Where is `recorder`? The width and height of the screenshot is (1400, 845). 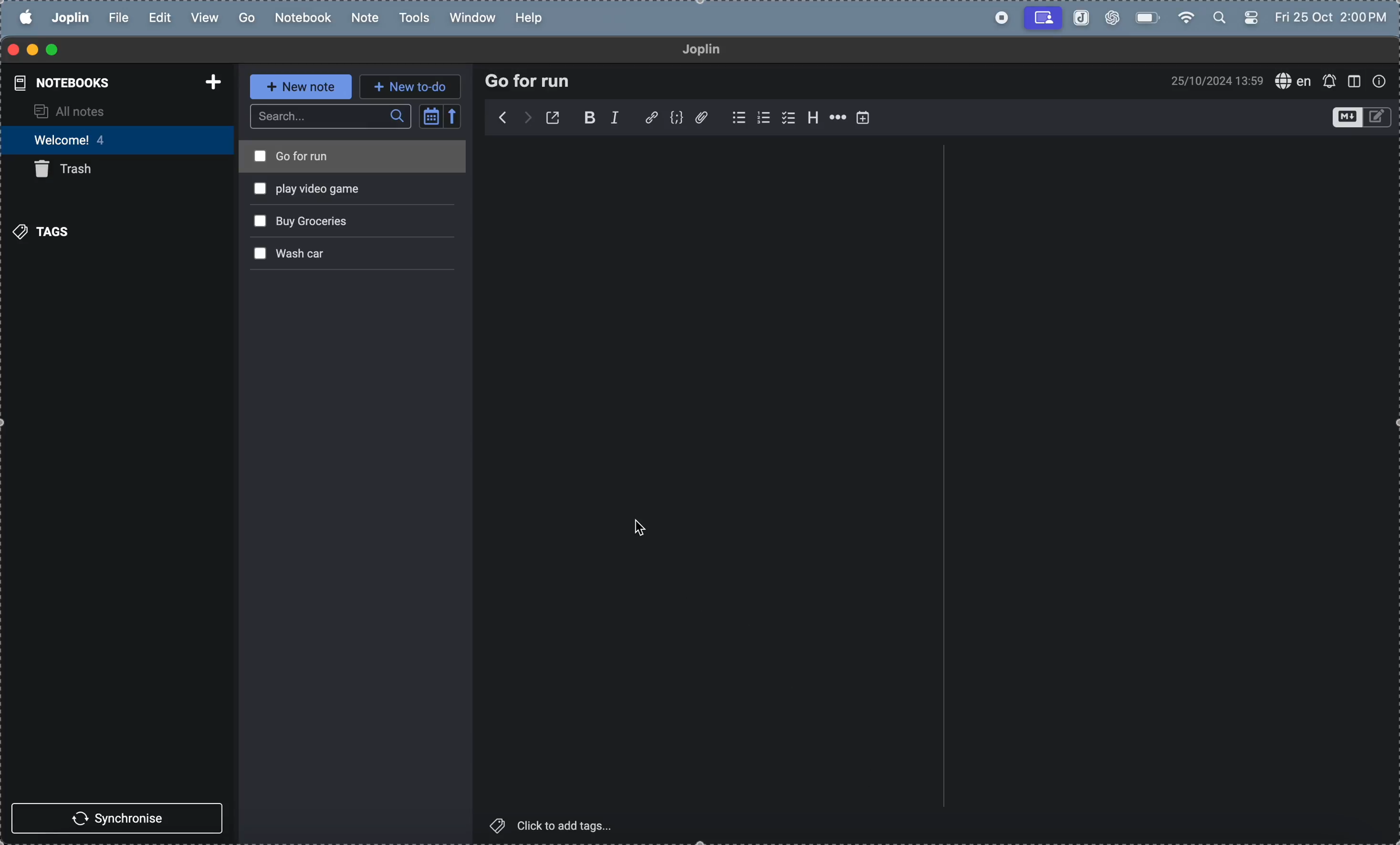 recorder is located at coordinates (995, 15).